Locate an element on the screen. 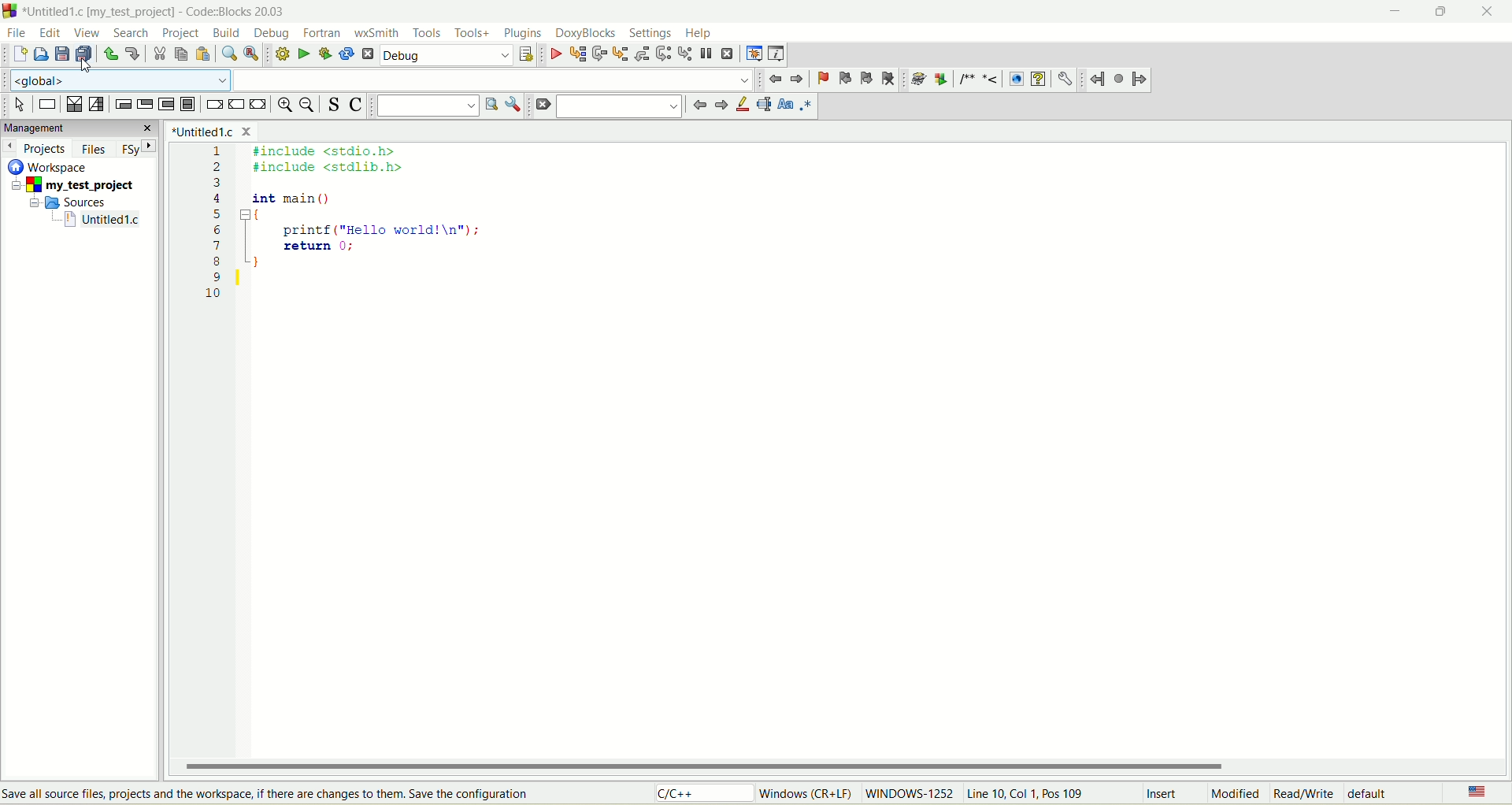  next instruction is located at coordinates (663, 54).